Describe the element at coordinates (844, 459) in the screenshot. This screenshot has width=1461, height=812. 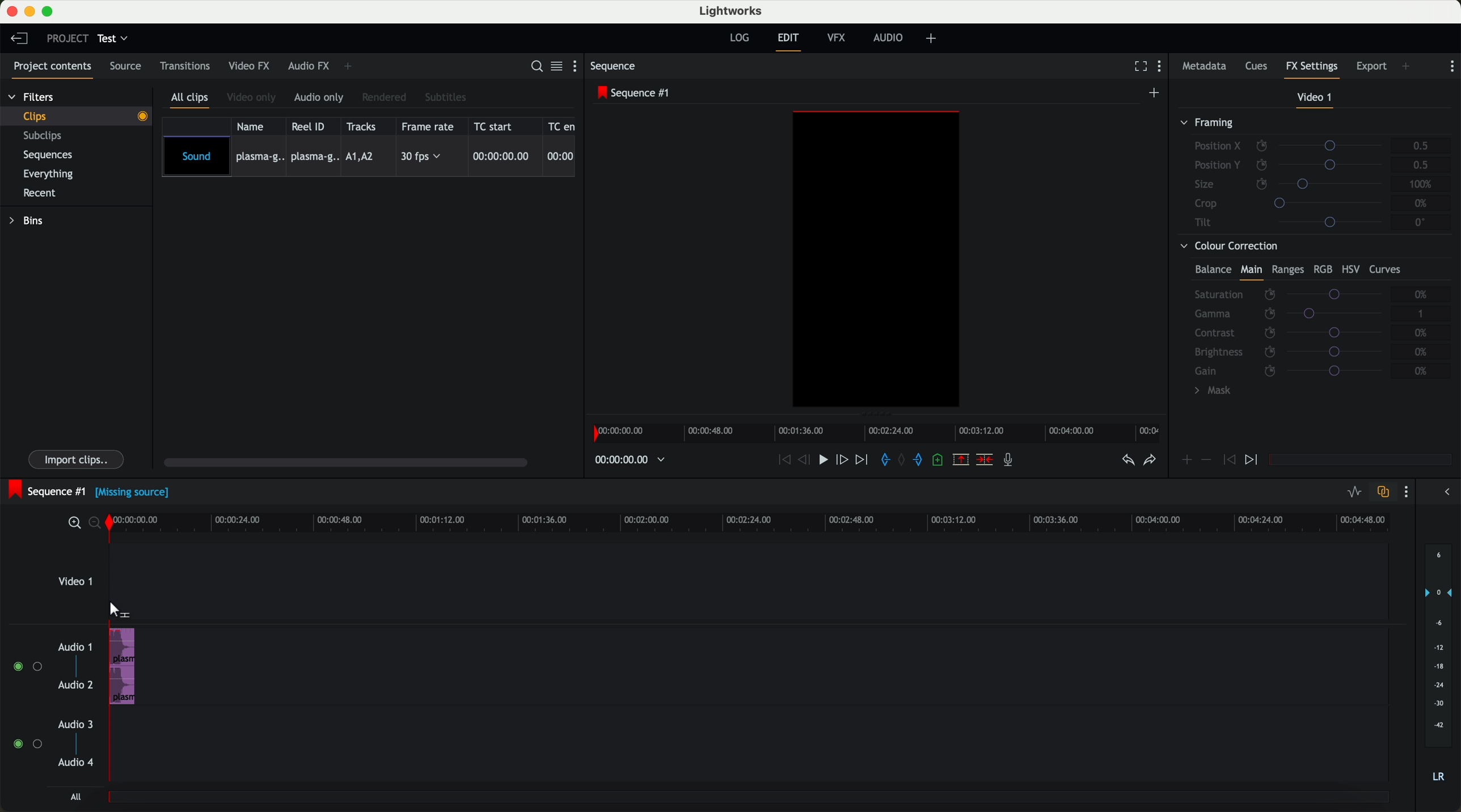
I see `nudge one frame foward` at that location.